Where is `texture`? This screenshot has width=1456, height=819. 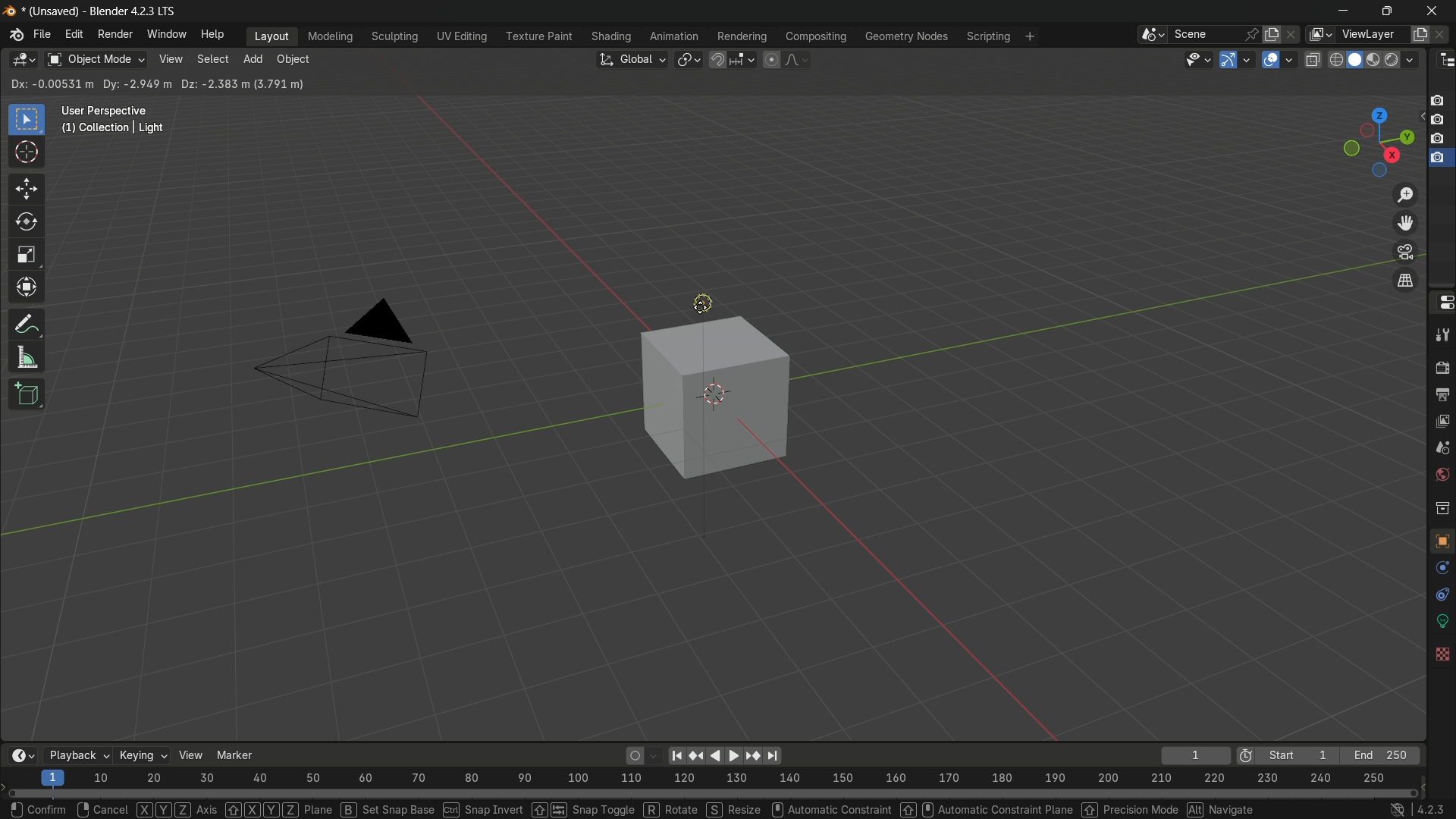
texture is located at coordinates (1441, 736).